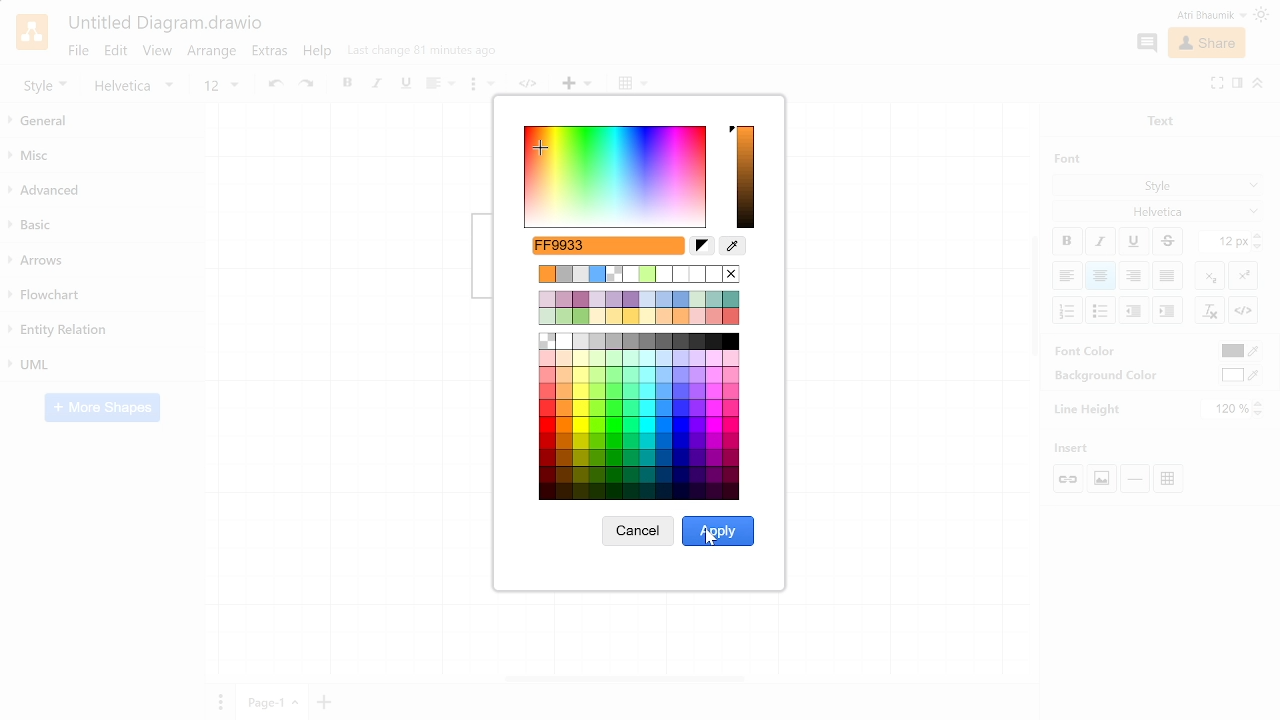 The width and height of the screenshot is (1280, 720). What do you see at coordinates (405, 84) in the screenshot?
I see `underline` at bounding box center [405, 84].